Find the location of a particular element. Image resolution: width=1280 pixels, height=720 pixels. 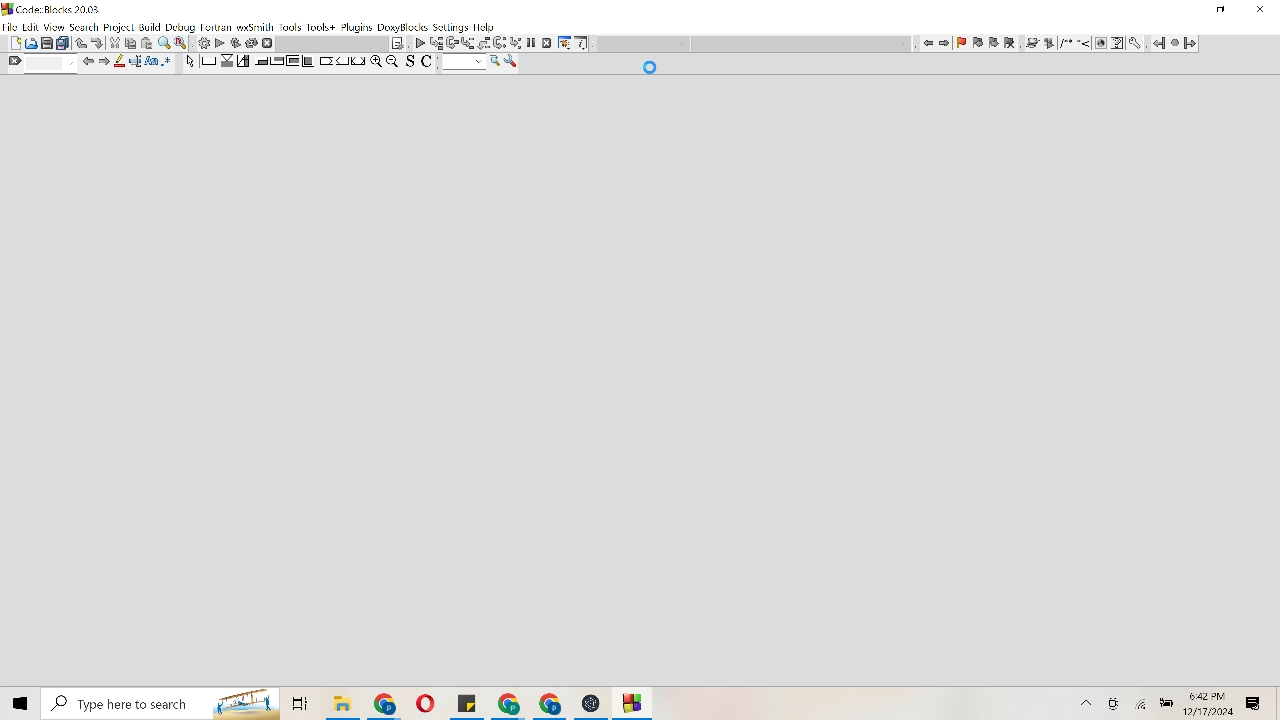

Tools is located at coordinates (564, 43).